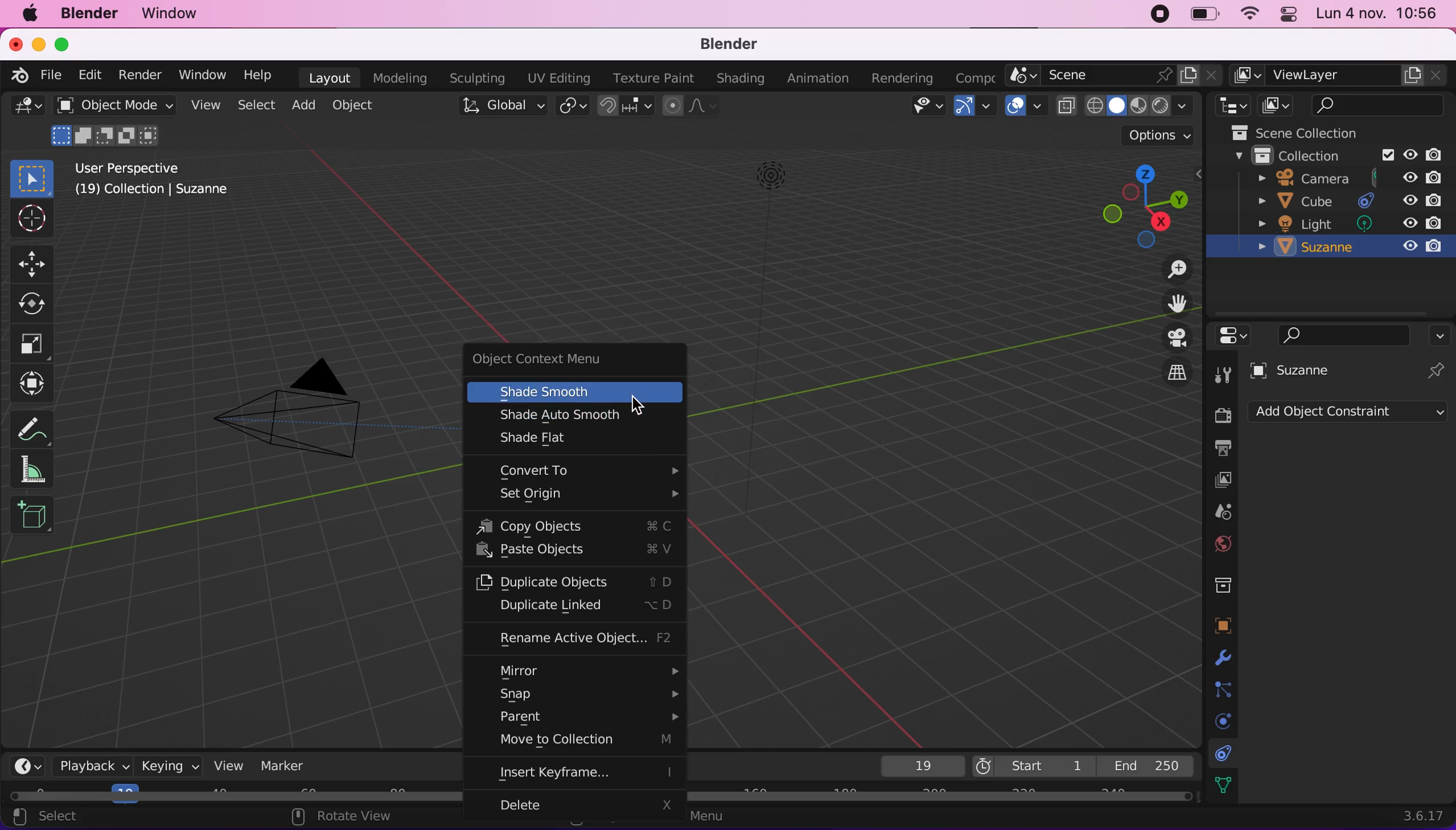  I want to click on options, so click(1147, 135).